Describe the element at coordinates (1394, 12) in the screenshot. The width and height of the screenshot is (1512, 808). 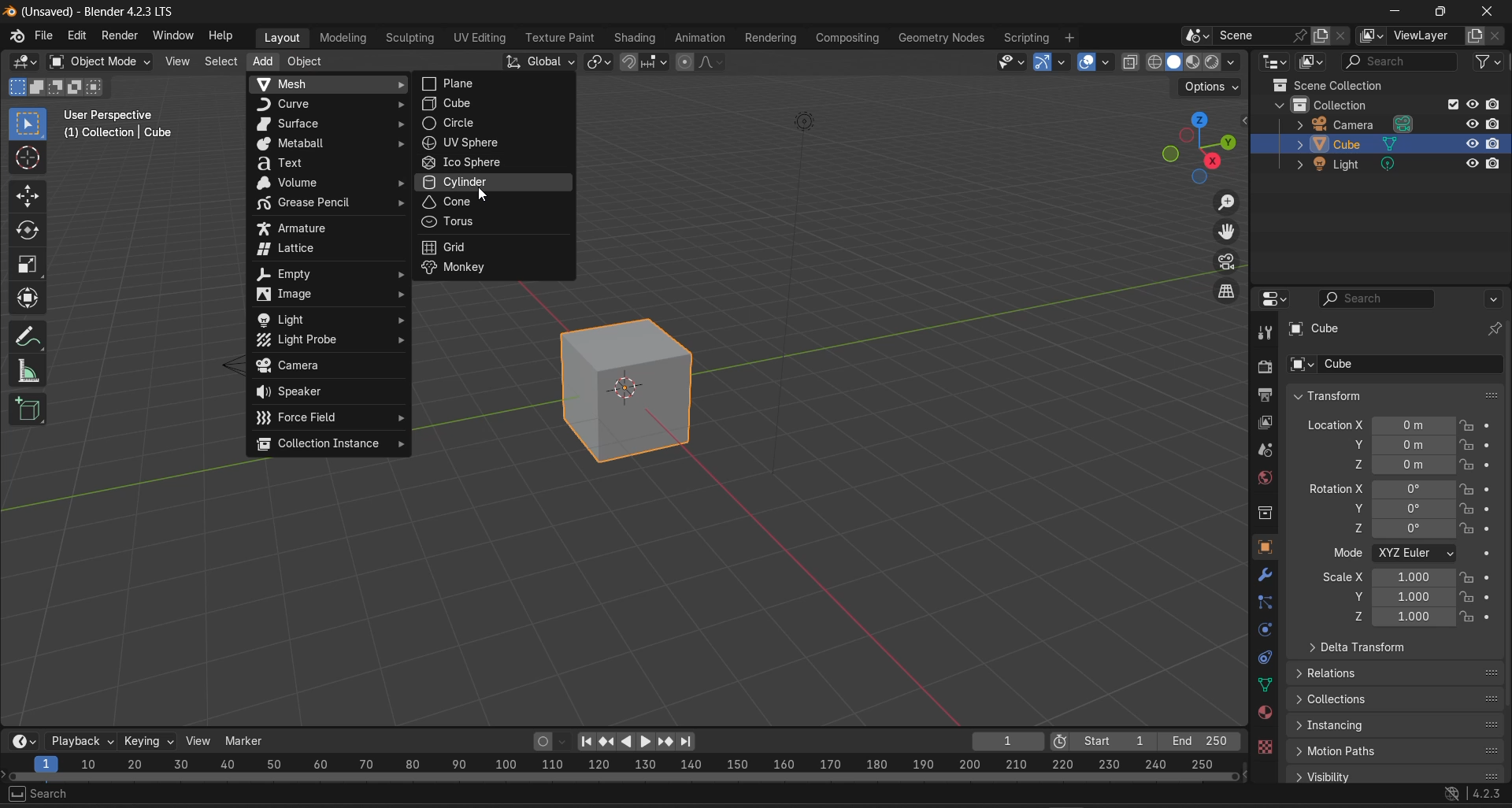
I see `minimize` at that location.